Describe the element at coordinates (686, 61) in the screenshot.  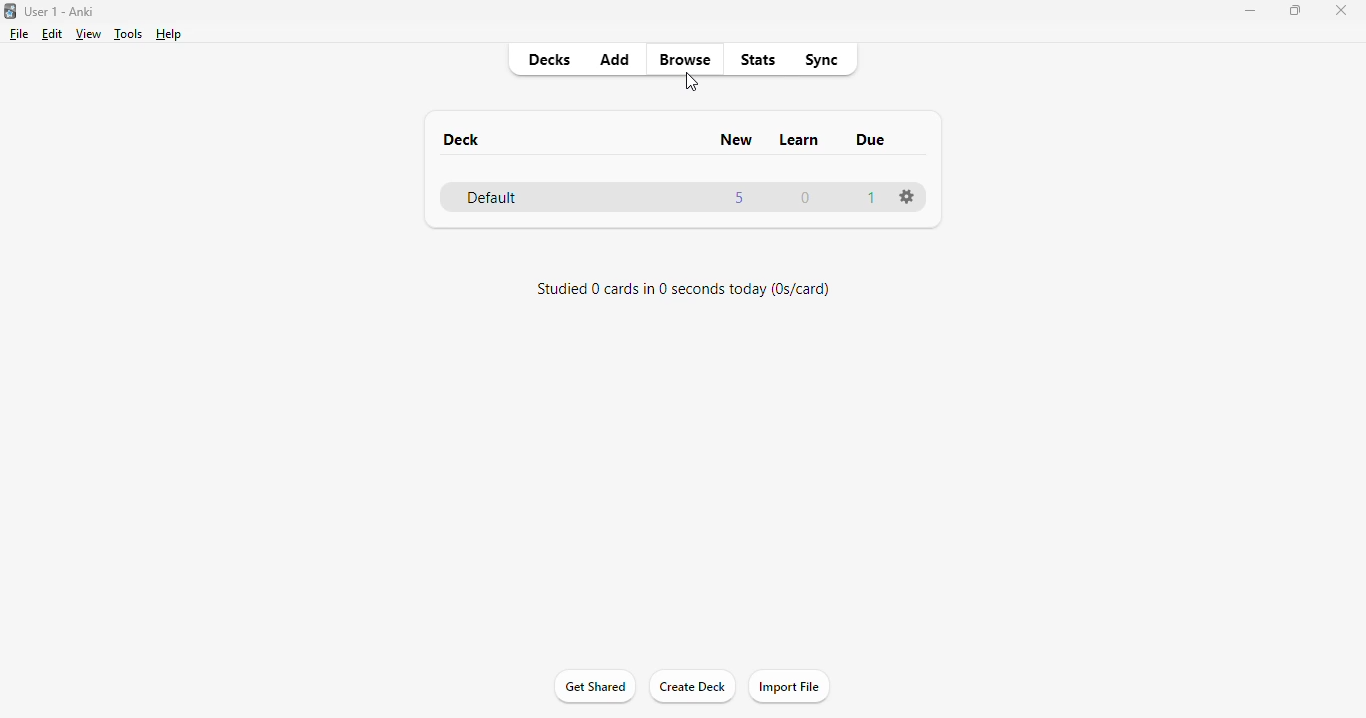
I see `browse` at that location.